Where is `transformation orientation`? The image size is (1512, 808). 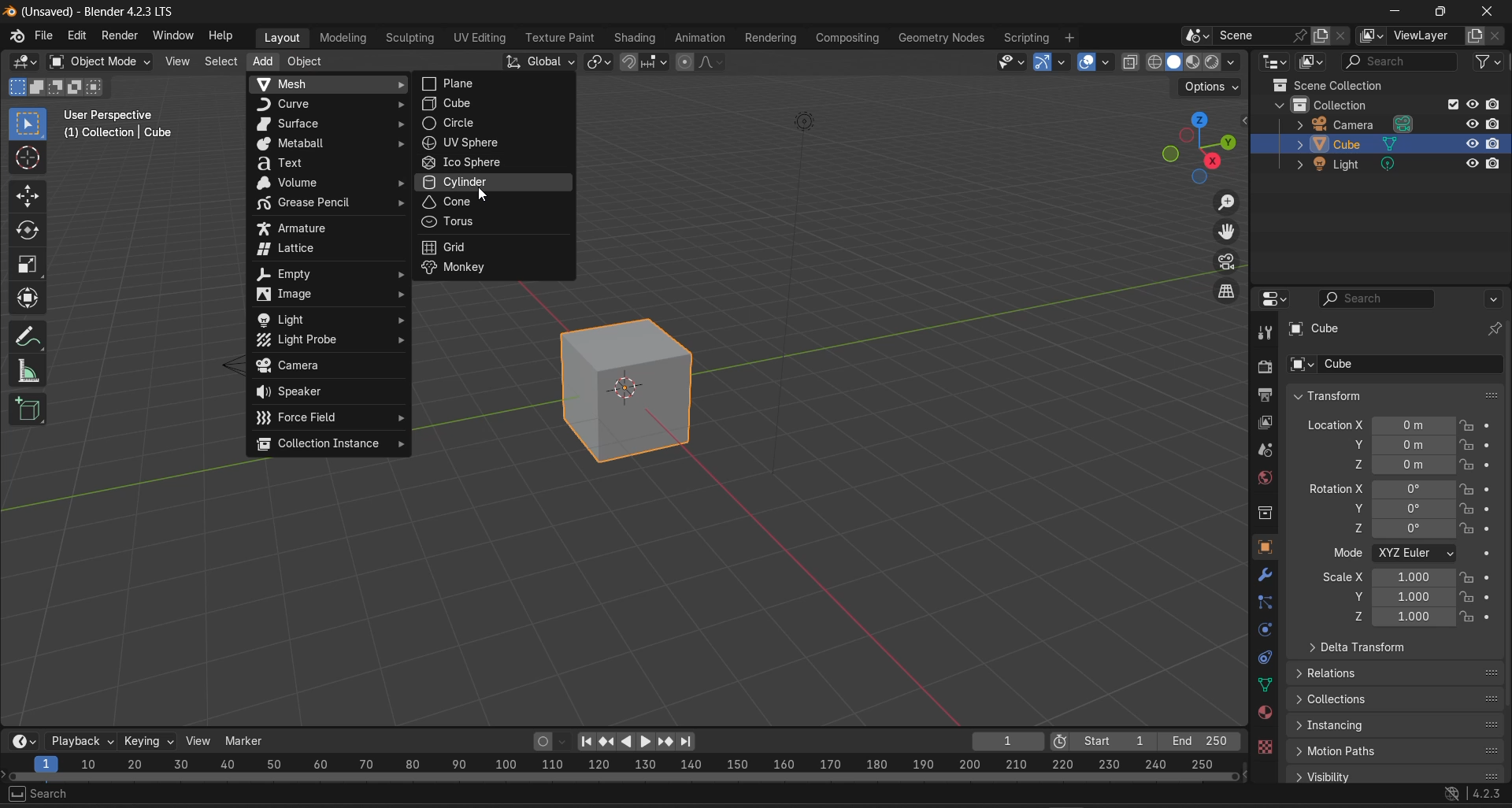 transformation orientation is located at coordinates (541, 61).